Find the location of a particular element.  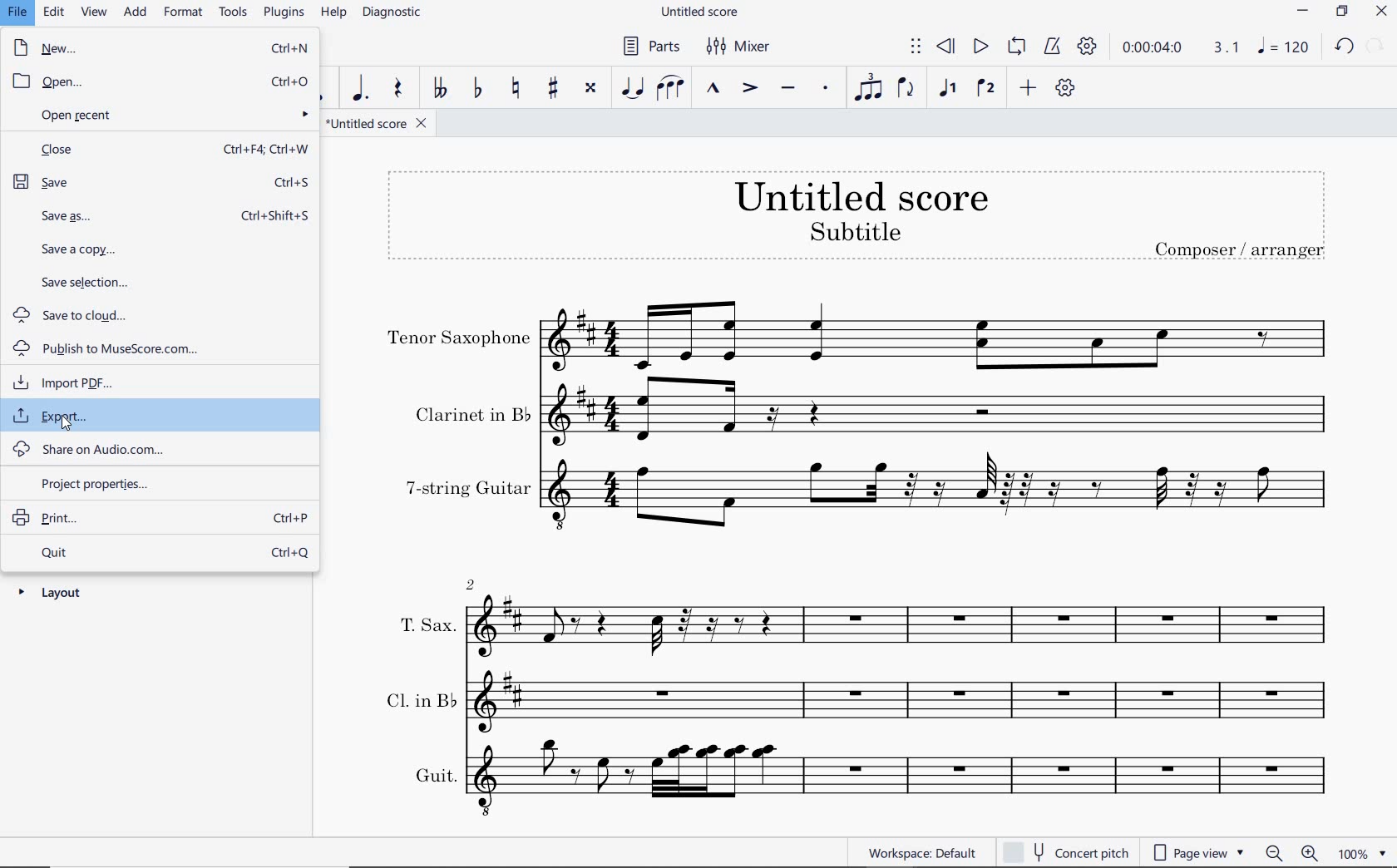

SLUR is located at coordinates (669, 86).